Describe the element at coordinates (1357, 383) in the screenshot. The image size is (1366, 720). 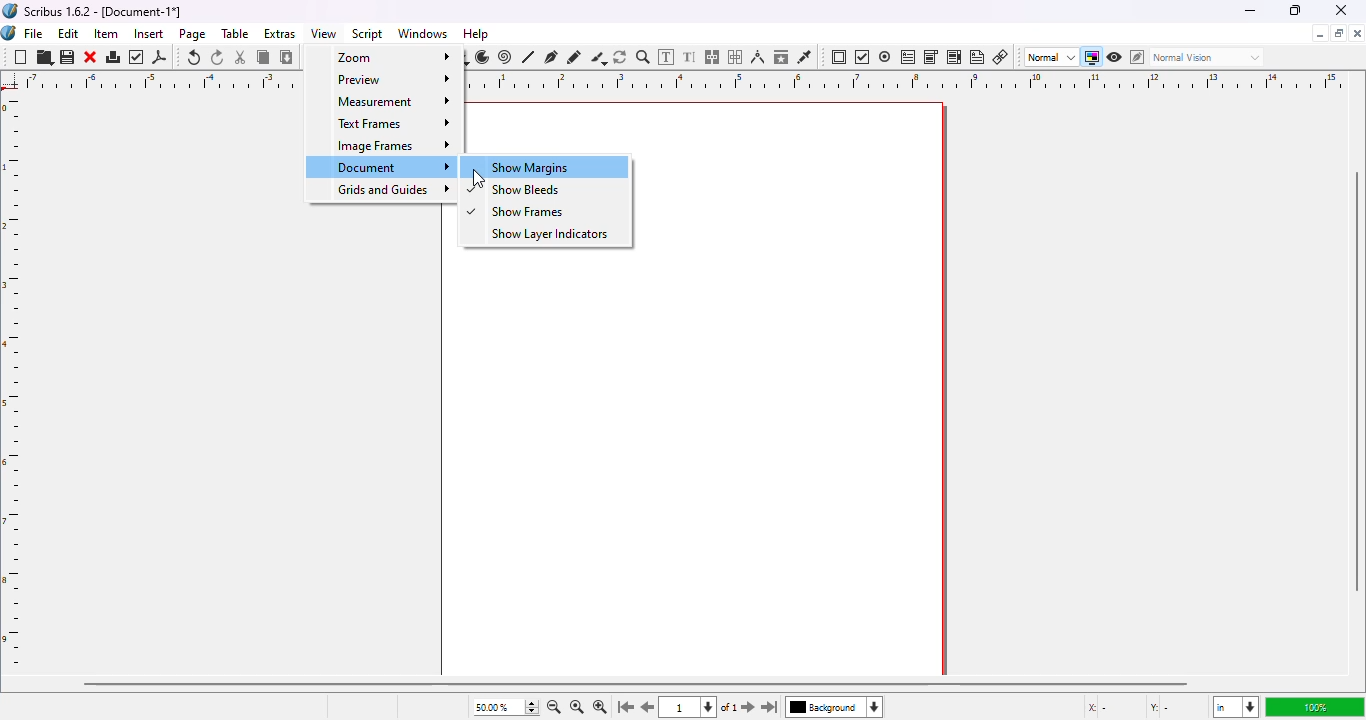
I see `vertical scroll bar` at that location.